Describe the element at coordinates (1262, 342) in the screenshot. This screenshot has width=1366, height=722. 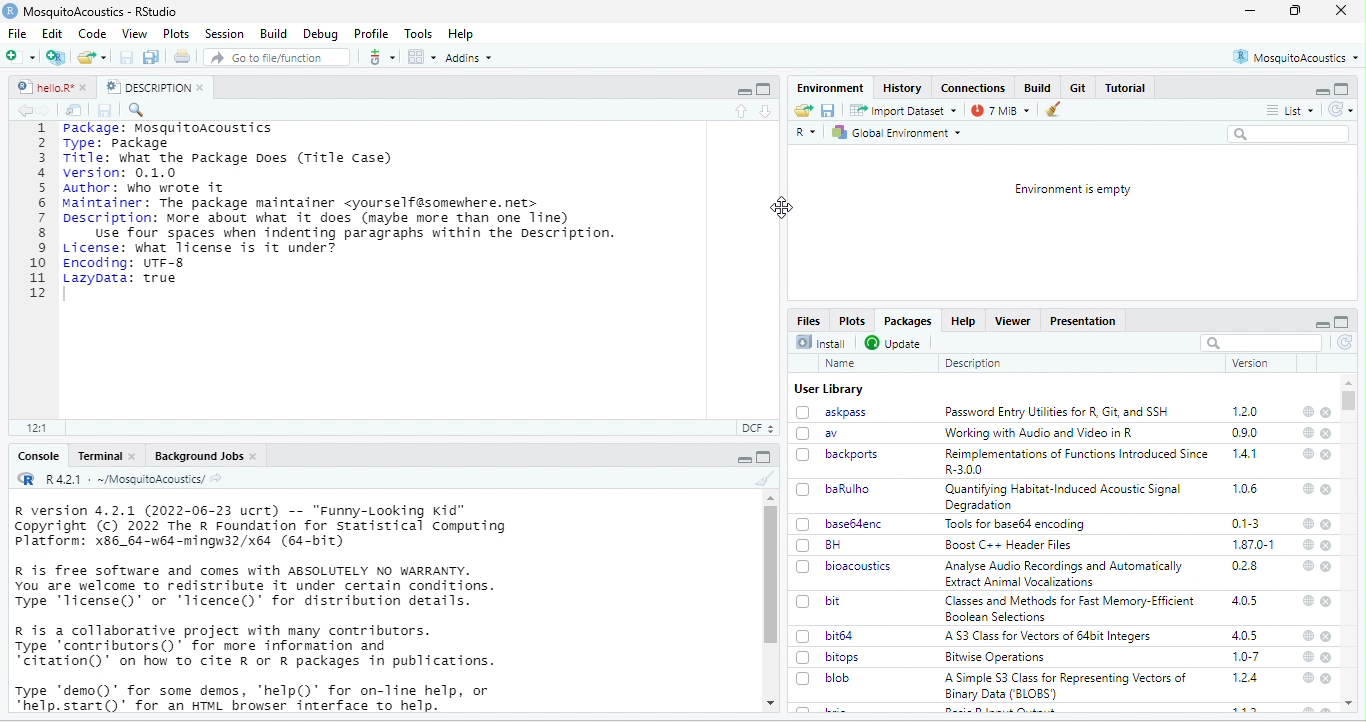
I see `search bar` at that location.